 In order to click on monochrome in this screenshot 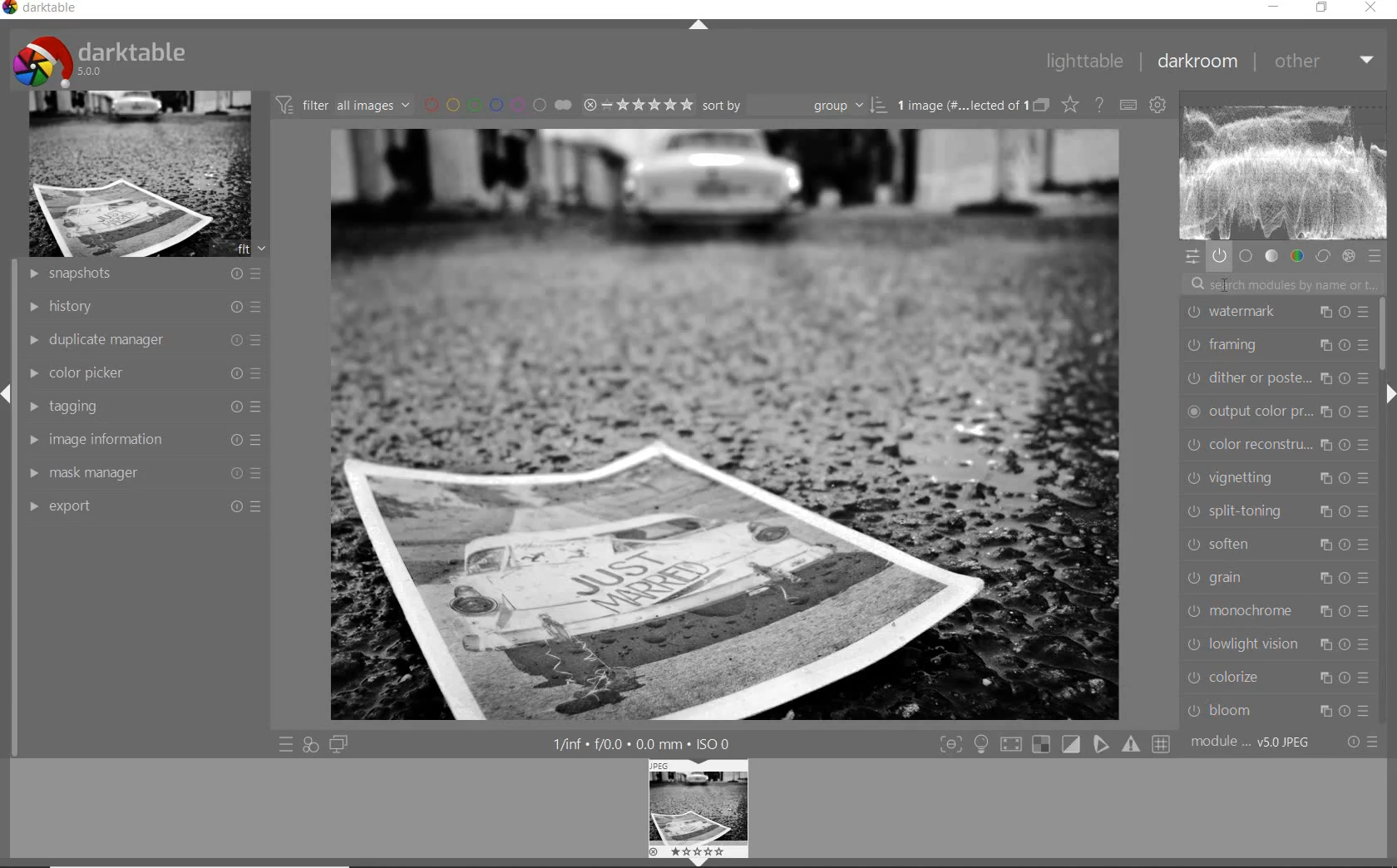, I will do `click(1276, 612)`.